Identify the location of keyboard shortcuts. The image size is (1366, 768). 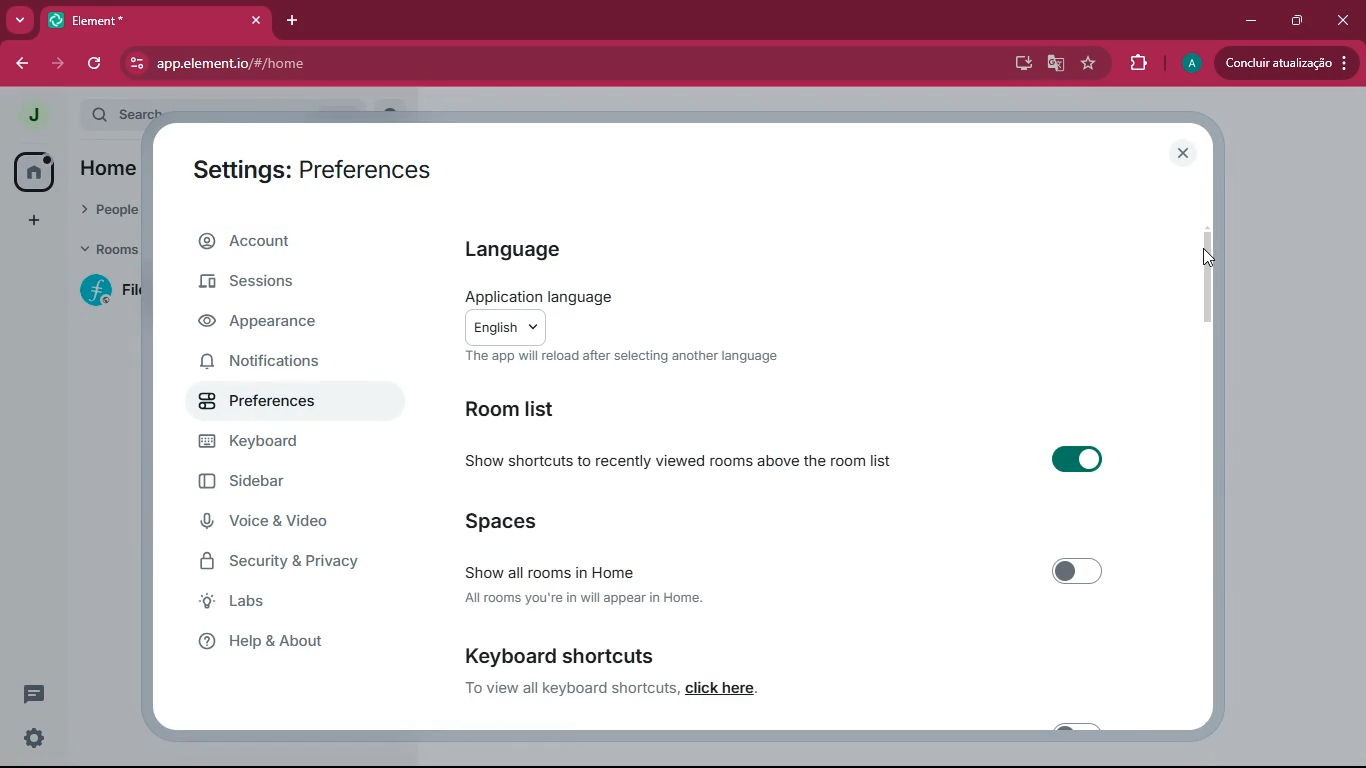
(561, 652).